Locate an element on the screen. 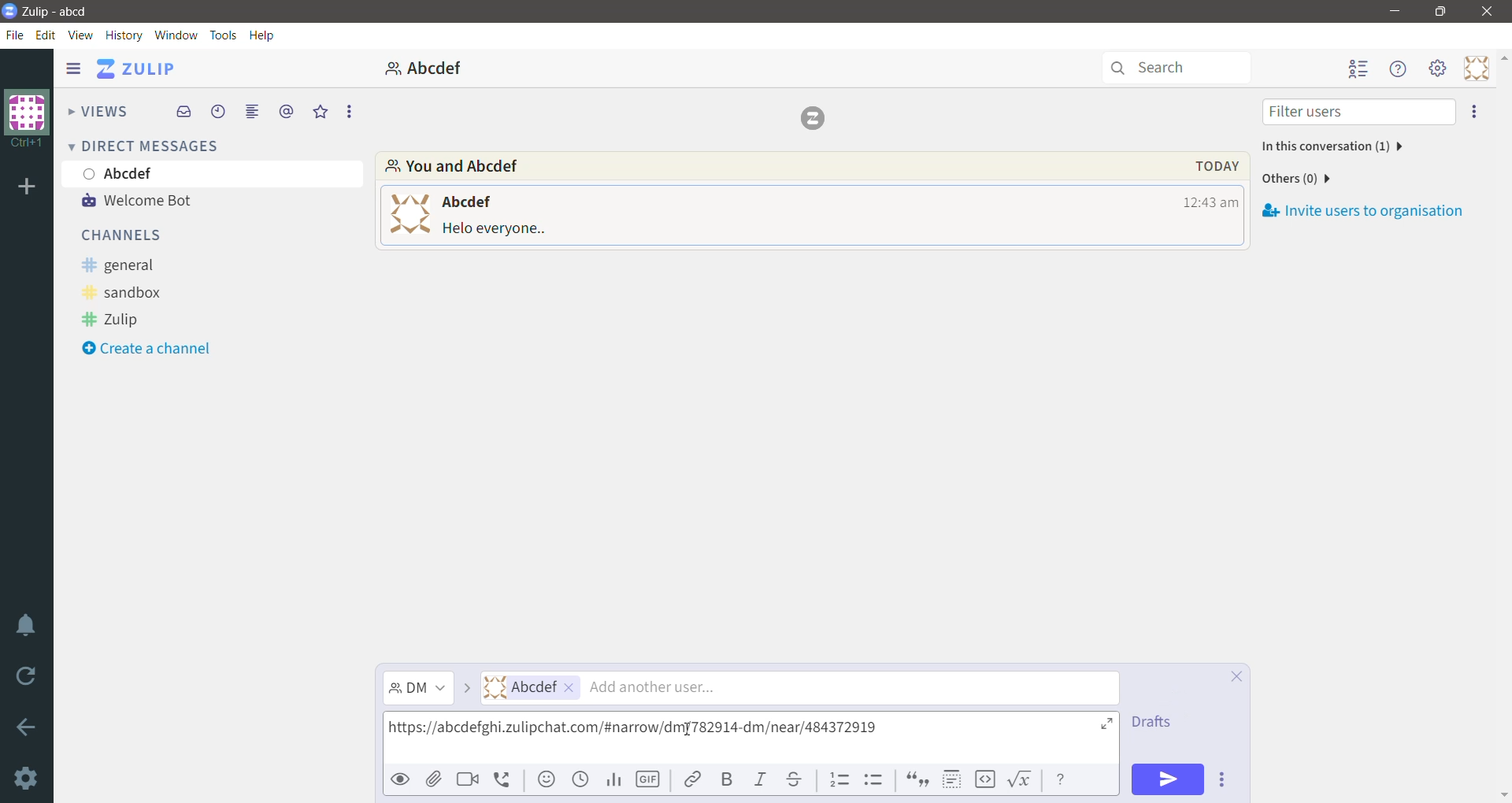 This screenshot has height=803, width=1512. Views is located at coordinates (97, 109).